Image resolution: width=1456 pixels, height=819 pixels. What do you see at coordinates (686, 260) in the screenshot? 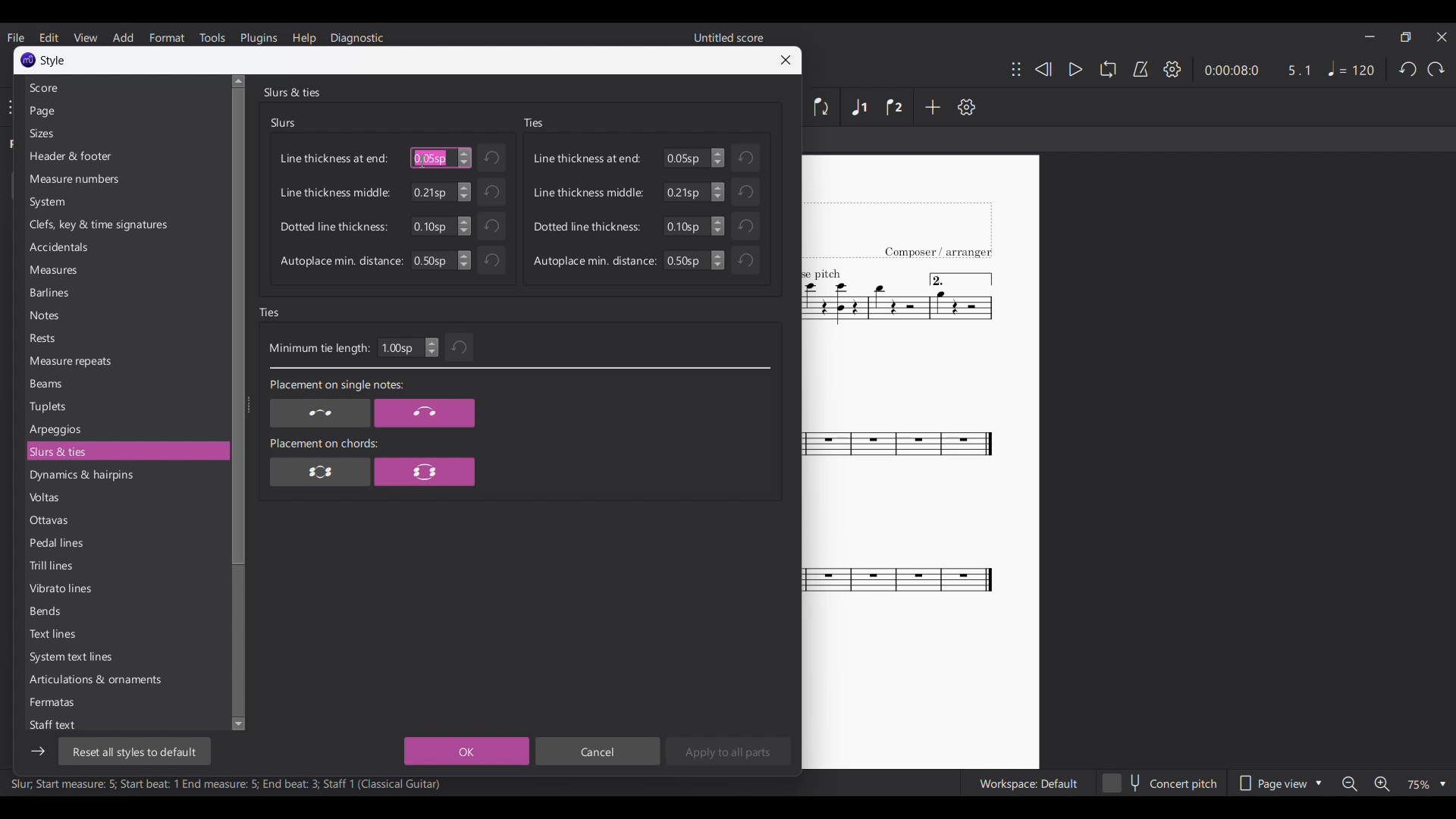
I see `Input autoplace min. distance` at bounding box center [686, 260].